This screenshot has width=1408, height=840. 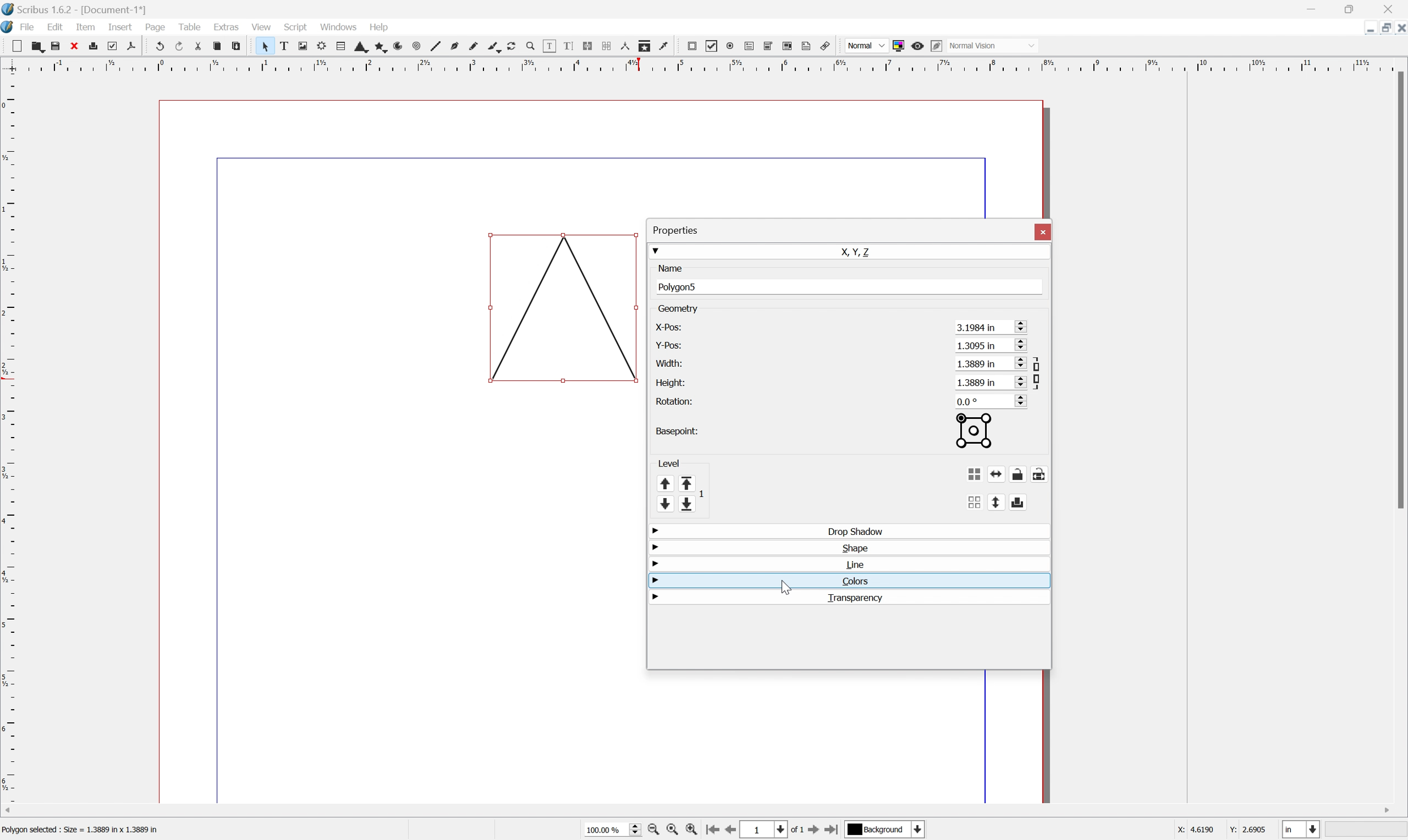 I want to click on Select current page, so click(x=777, y=829).